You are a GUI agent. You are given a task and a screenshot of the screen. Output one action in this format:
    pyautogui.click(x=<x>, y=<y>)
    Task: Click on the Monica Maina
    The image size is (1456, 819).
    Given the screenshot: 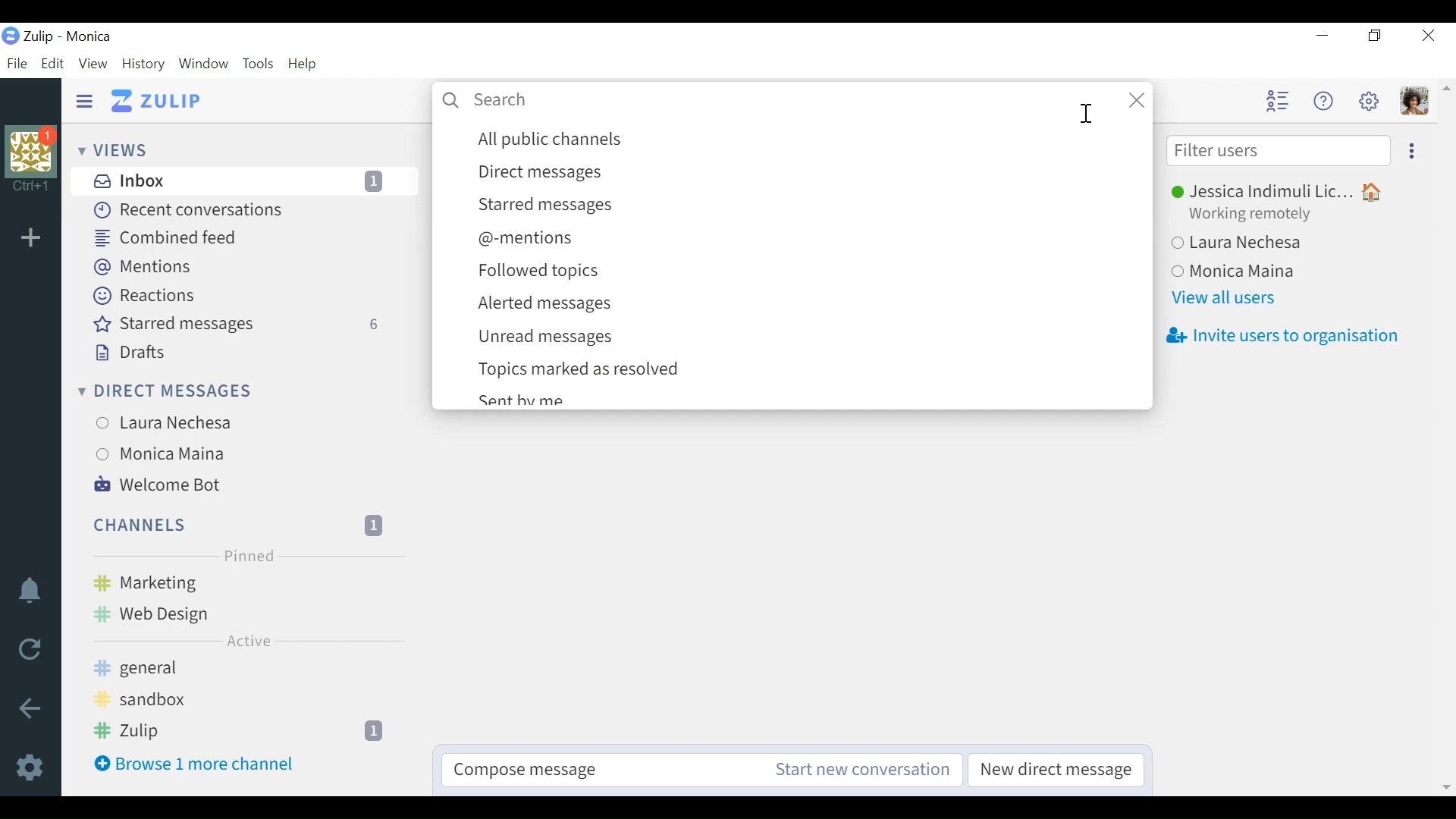 What is the action you would take?
    pyautogui.click(x=1246, y=269)
    